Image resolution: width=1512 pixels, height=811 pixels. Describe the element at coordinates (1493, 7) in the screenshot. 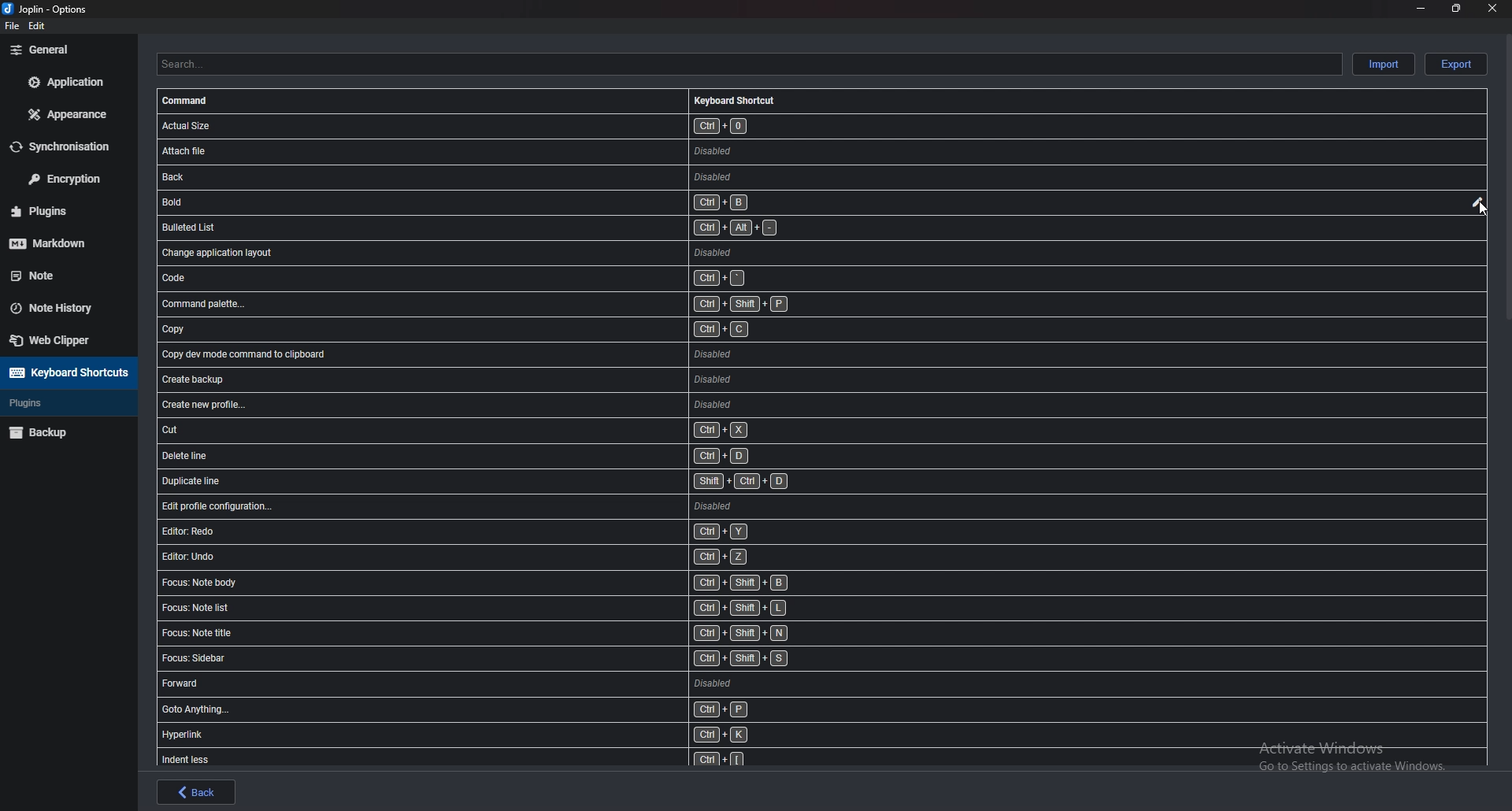

I see `close` at that location.